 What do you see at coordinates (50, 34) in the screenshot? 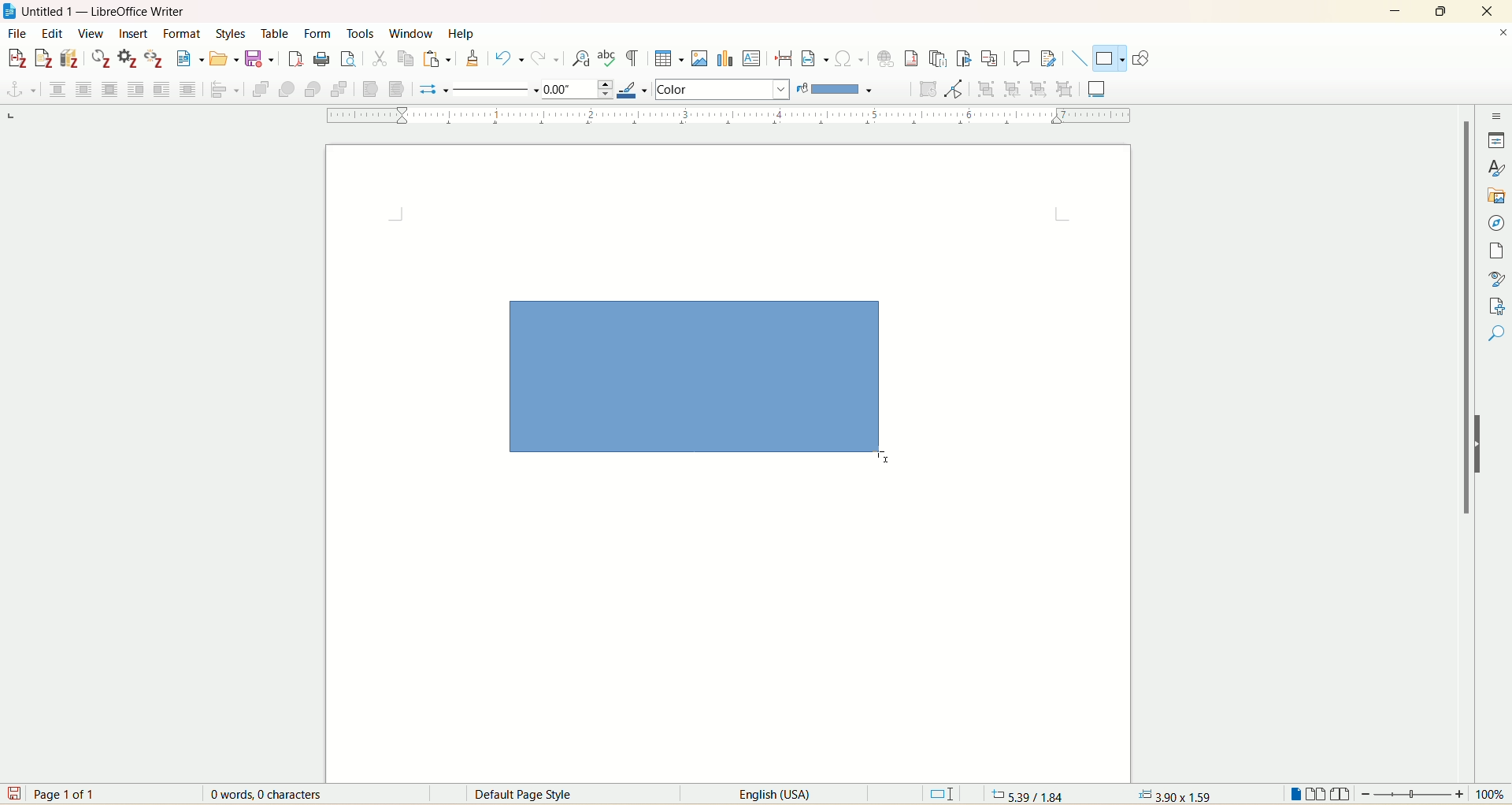
I see `edit` at bounding box center [50, 34].